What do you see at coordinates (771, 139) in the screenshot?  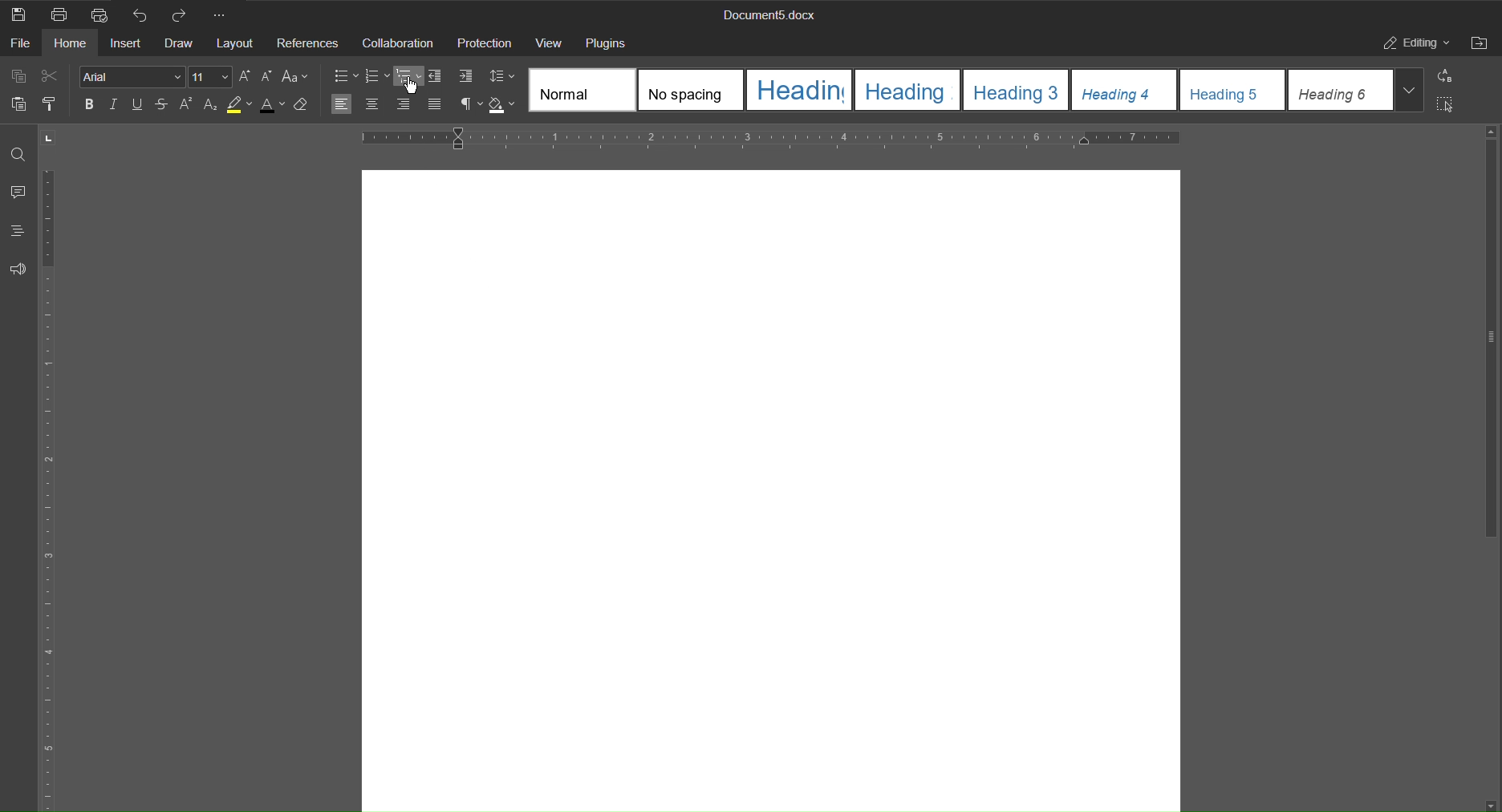 I see `Horizontal Ruler` at bounding box center [771, 139].